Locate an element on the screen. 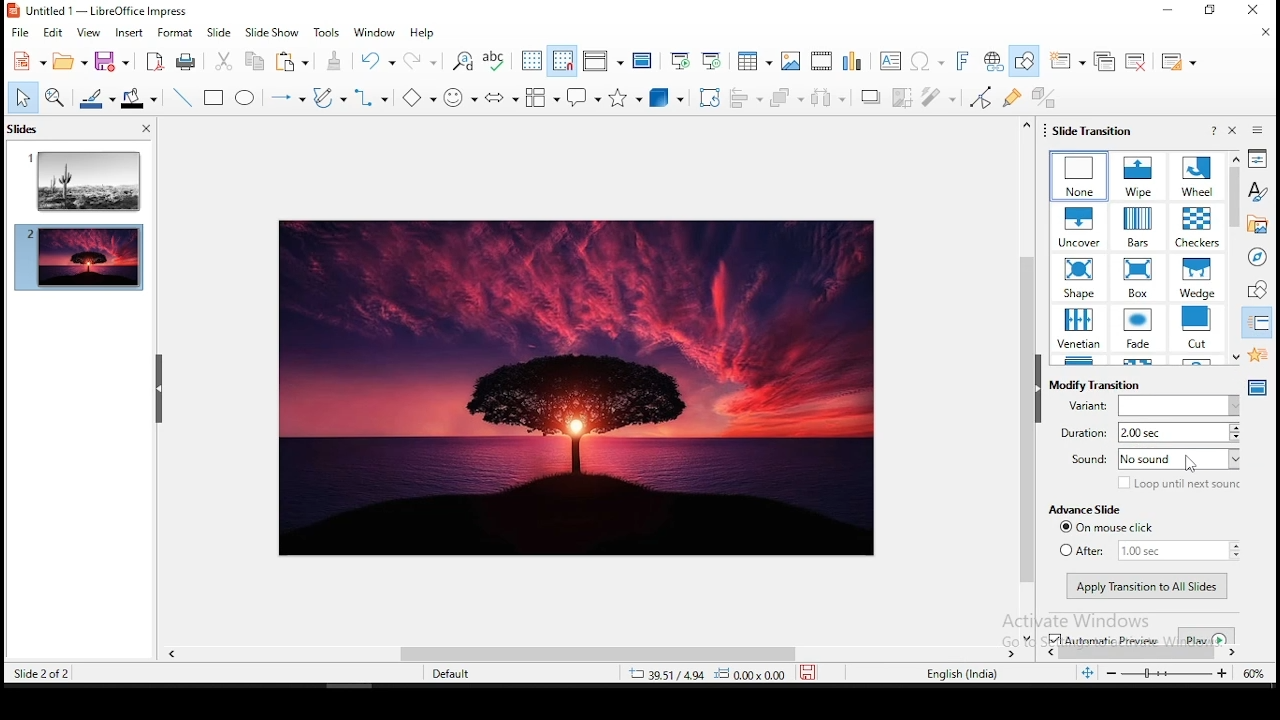 The image size is (1280, 720). on mouse click is located at coordinates (1113, 527).